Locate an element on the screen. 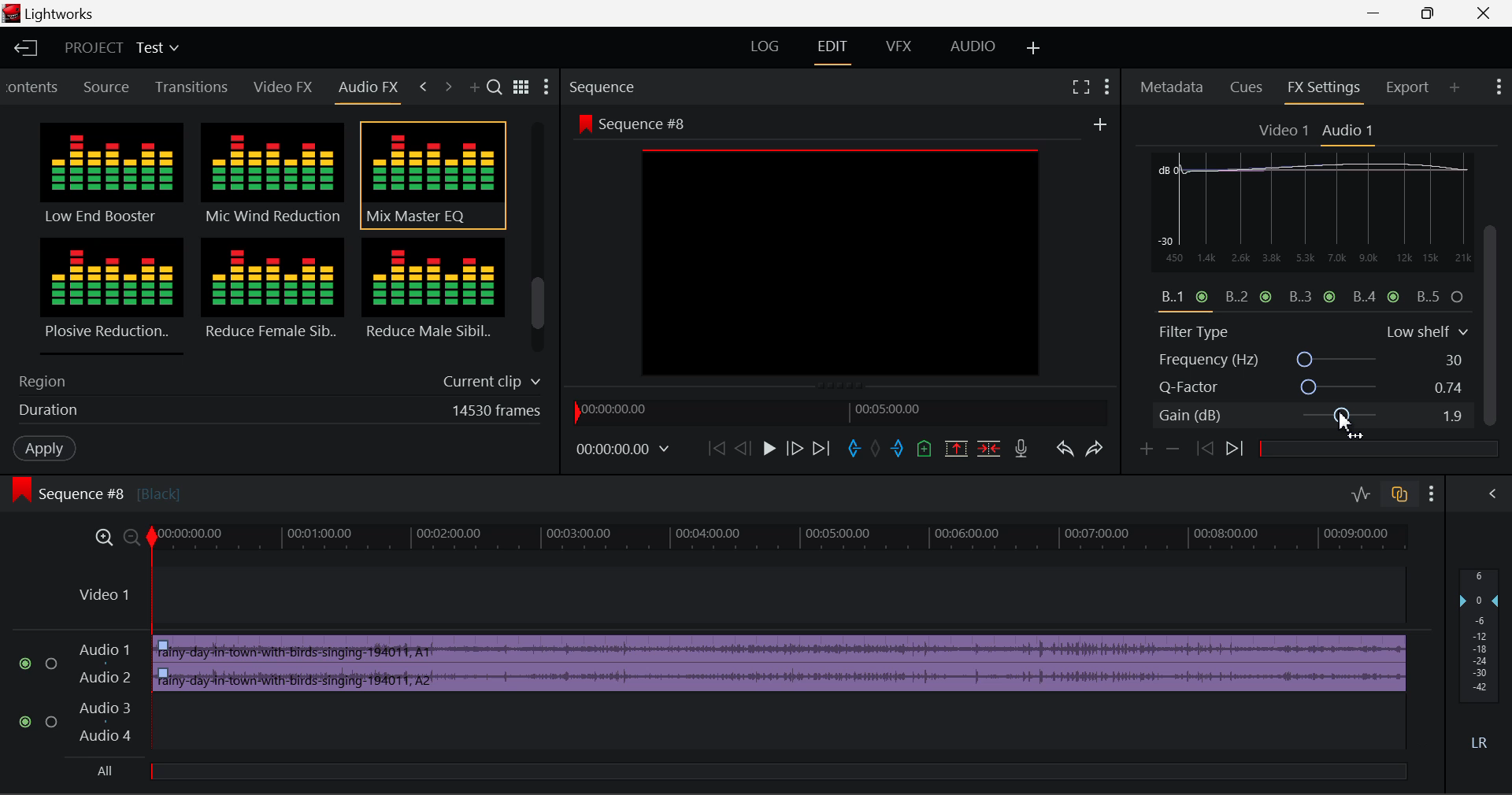 The image size is (1512, 795). Contents is located at coordinates (34, 85).